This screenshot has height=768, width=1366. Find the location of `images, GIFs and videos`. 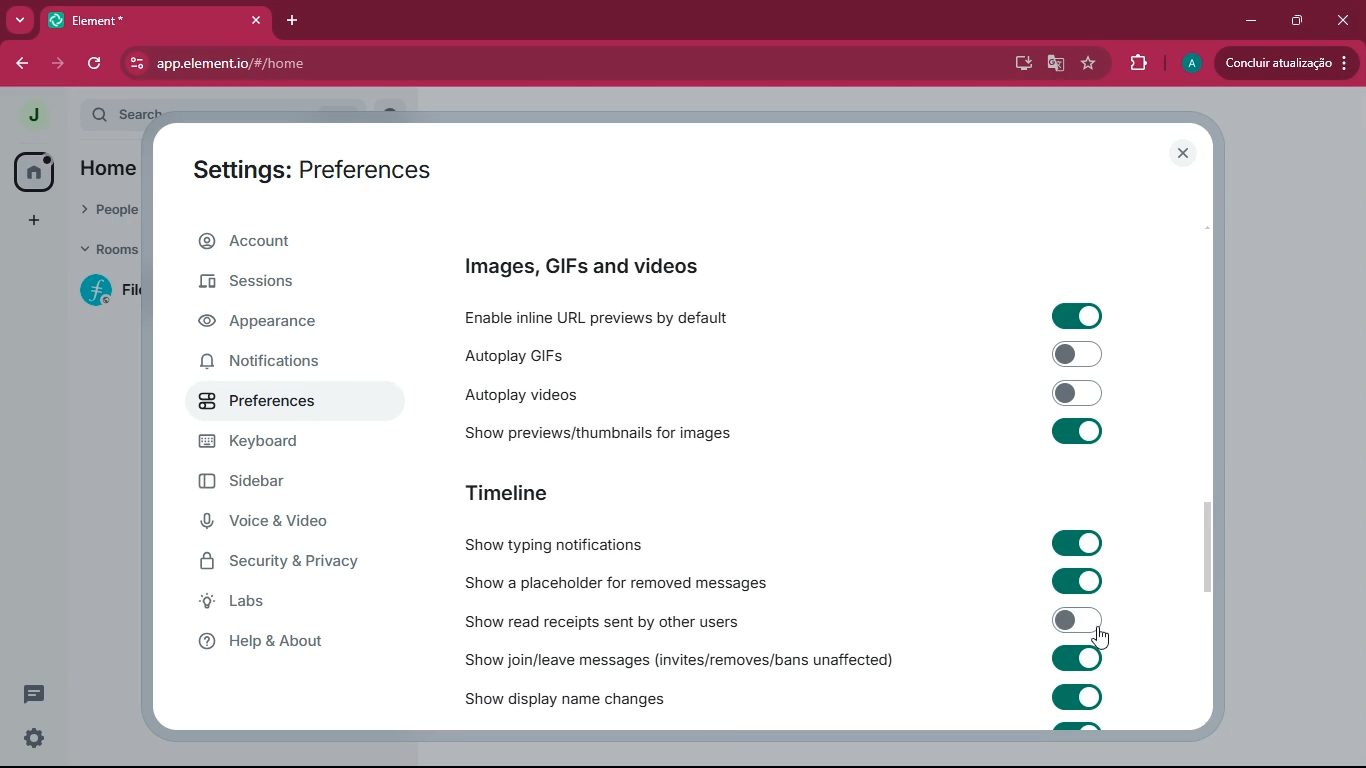

images, GIFs and videos is located at coordinates (581, 267).